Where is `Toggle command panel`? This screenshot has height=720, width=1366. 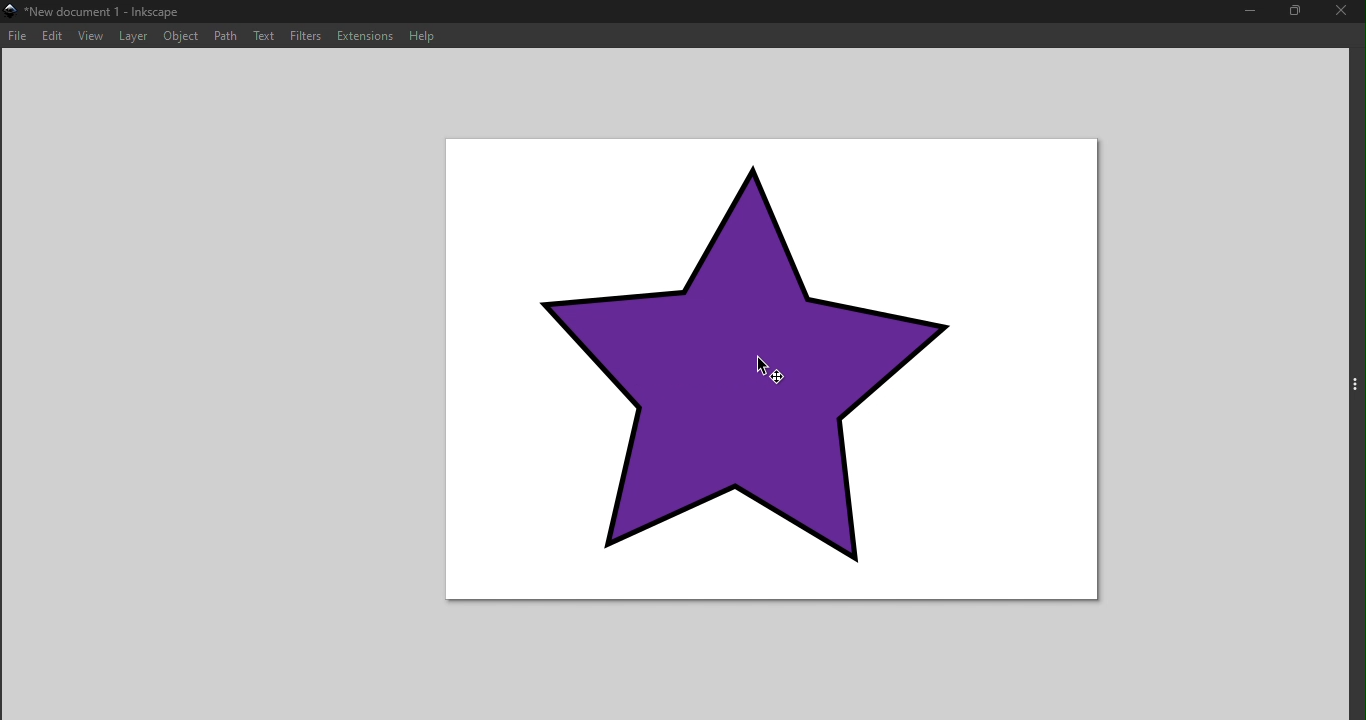 Toggle command panel is located at coordinates (1353, 384).